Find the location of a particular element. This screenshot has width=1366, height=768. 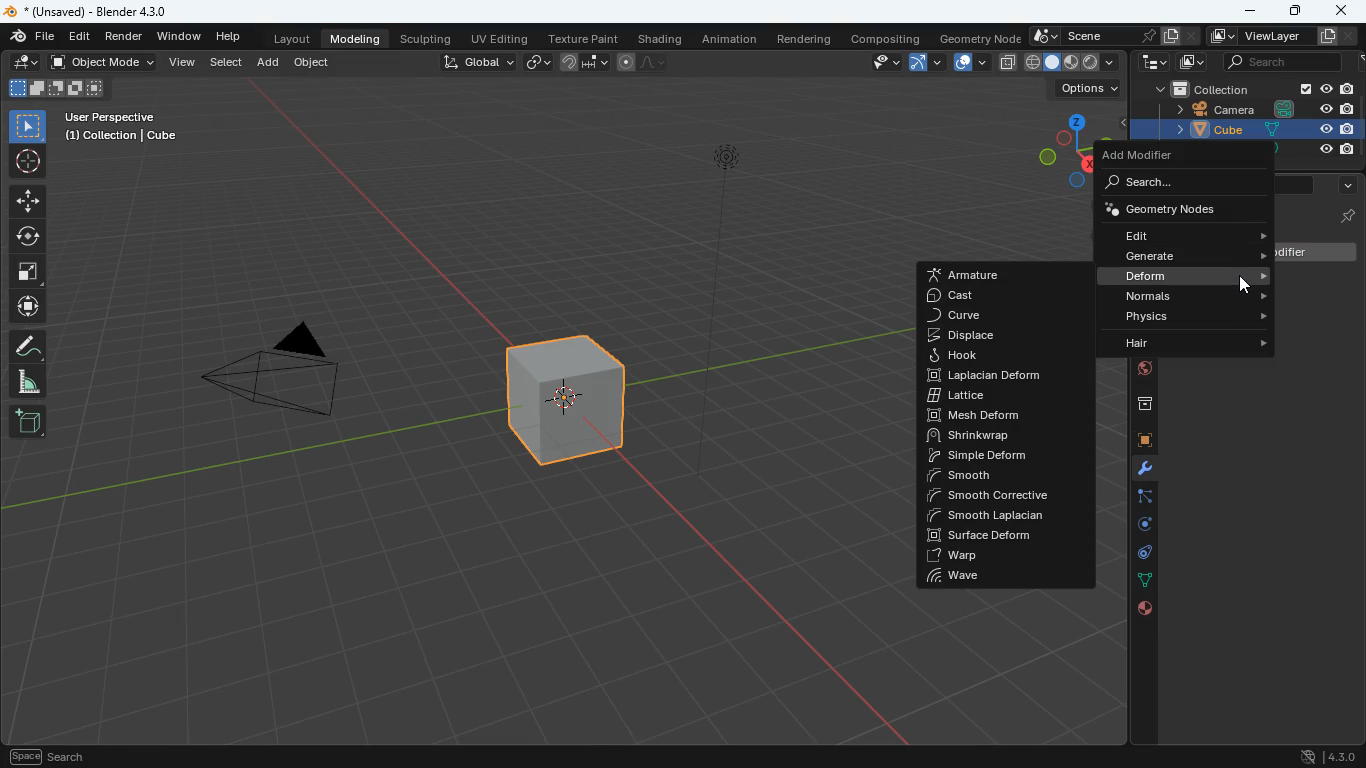

image size is located at coordinates (55, 87).